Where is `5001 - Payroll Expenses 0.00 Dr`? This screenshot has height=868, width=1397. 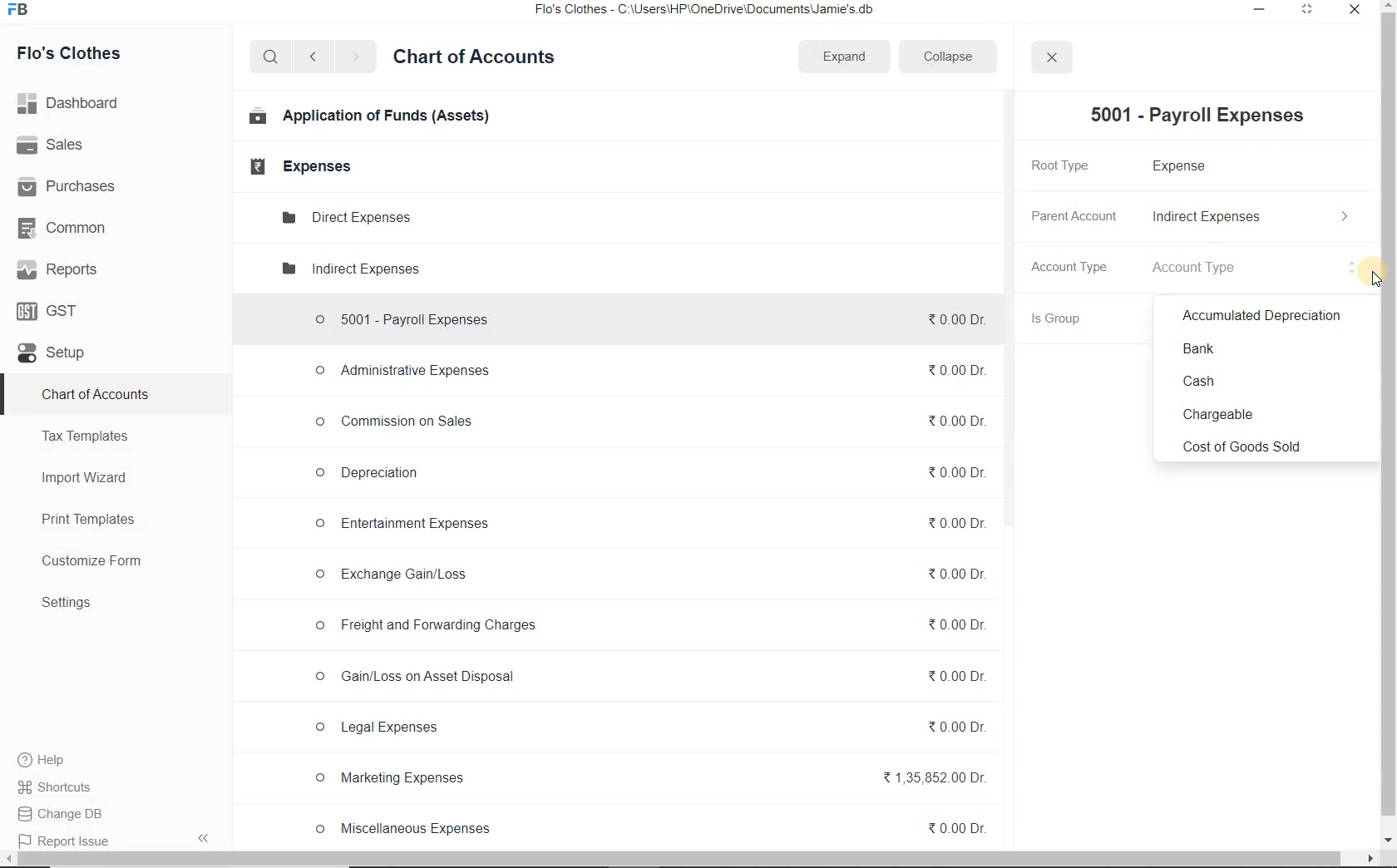 5001 - Payroll Expenses 0.00 Dr is located at coordinates (644, 316).